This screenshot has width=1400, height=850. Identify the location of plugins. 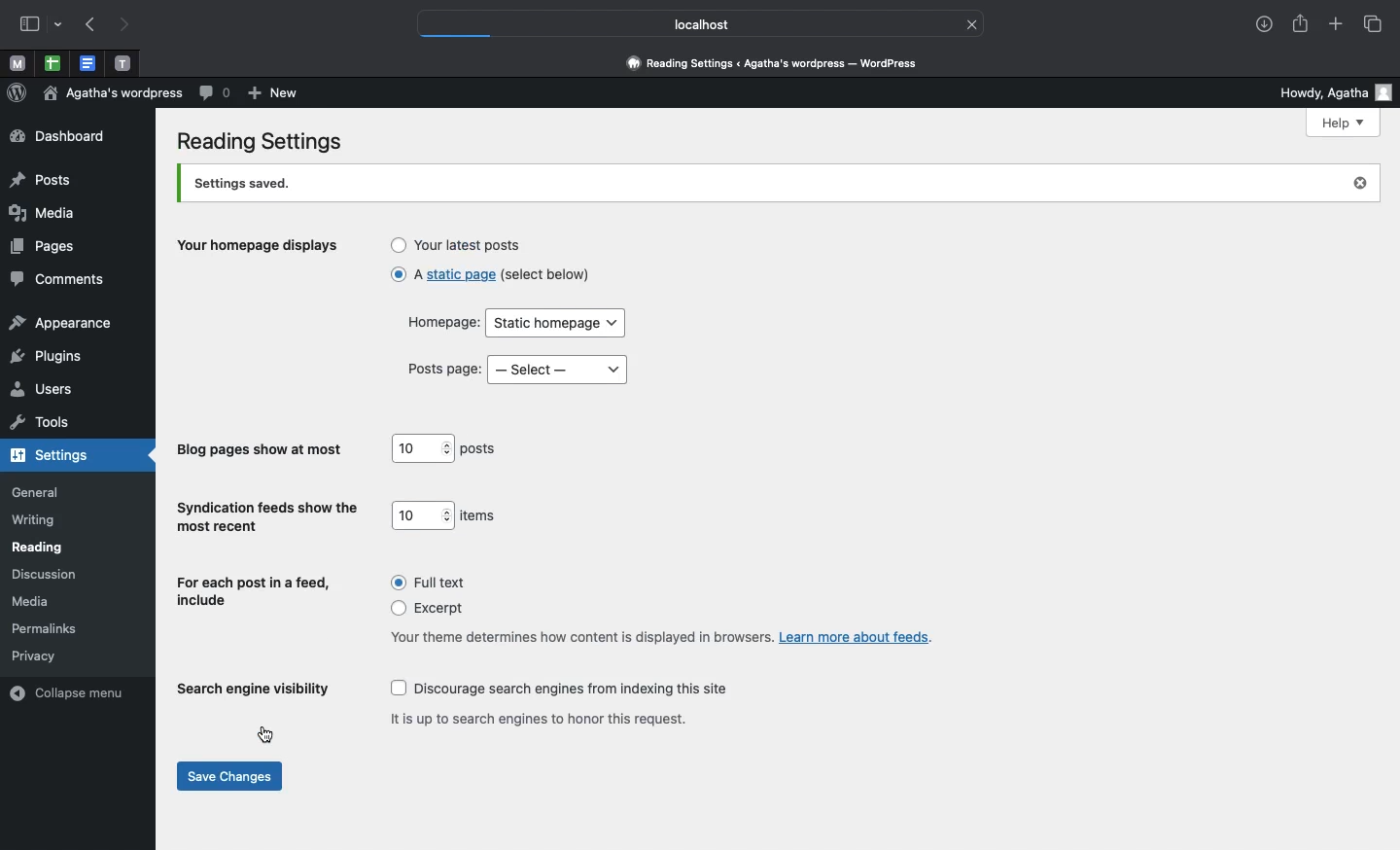
(46, 355).